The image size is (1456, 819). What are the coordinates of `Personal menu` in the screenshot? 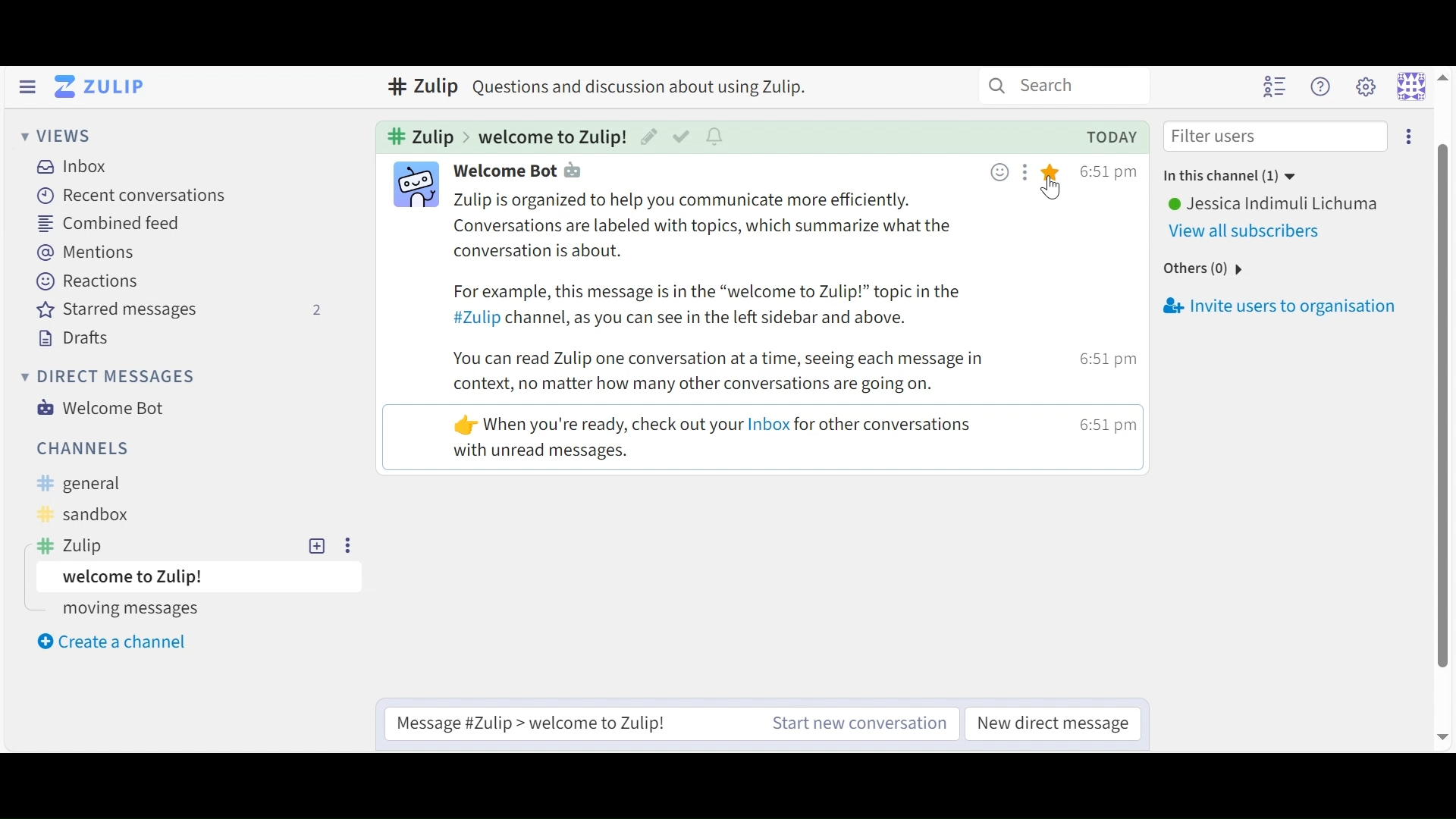 It's located at (1411, 85).